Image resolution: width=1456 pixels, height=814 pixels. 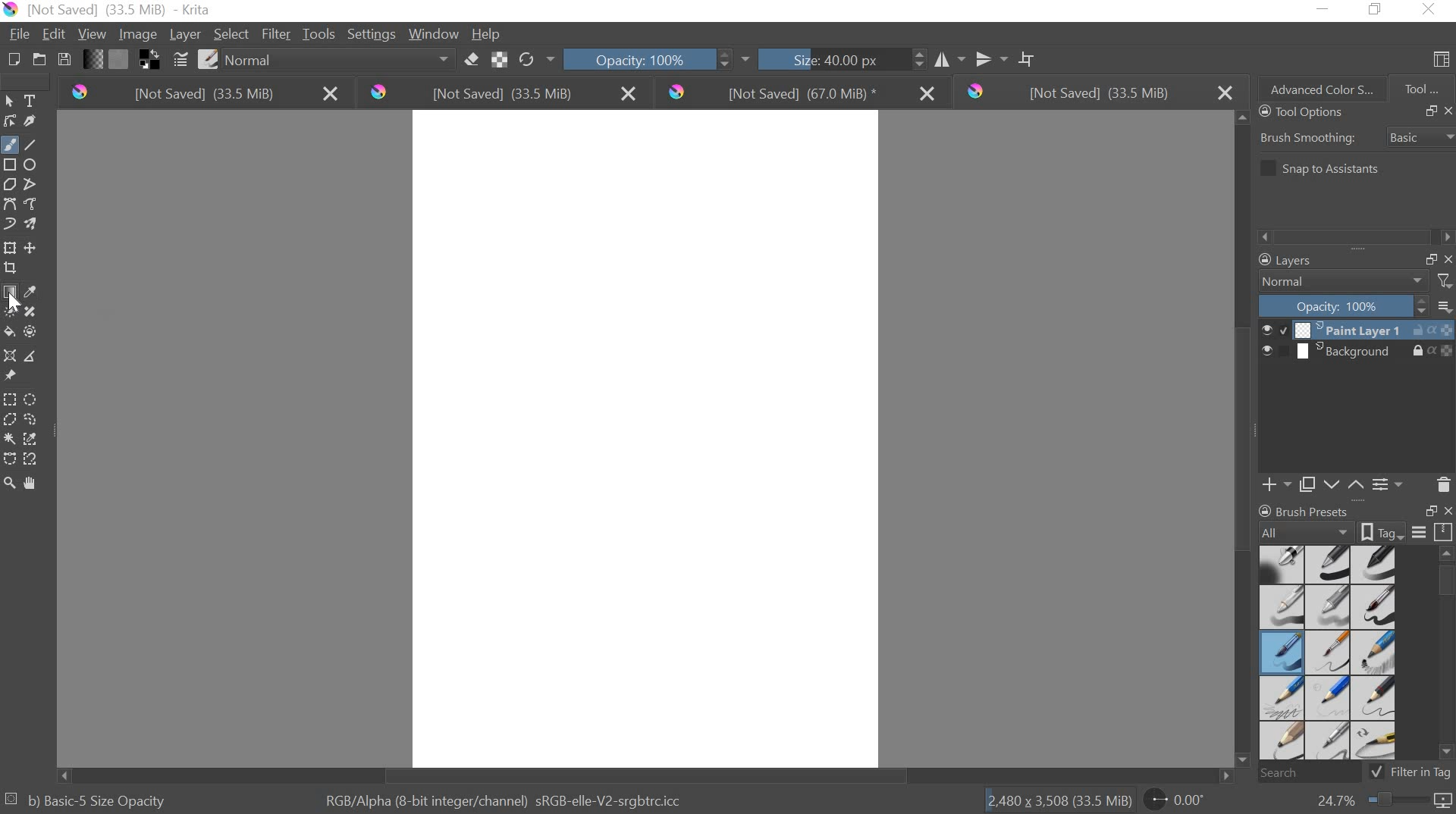 What do you see at coordinates (1442, 61) in the screenshot?
I see `CHOOSE WORKSPACE` at bounding box center [1442, 61].